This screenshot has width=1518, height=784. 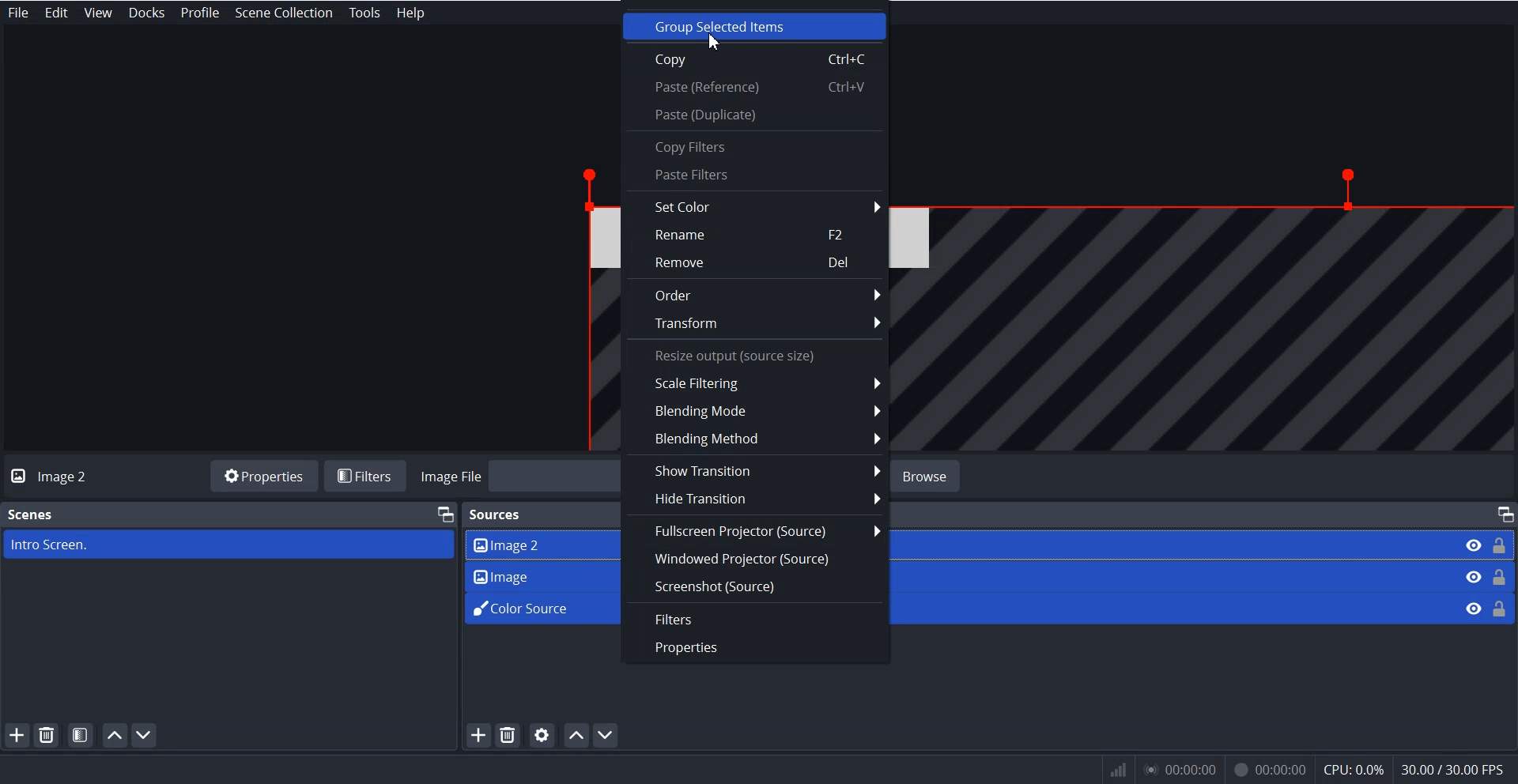 What do you see at coordinates (755, 533) in the screenshot?
I see `Fullscreen ` at bounding box center [755, 533].